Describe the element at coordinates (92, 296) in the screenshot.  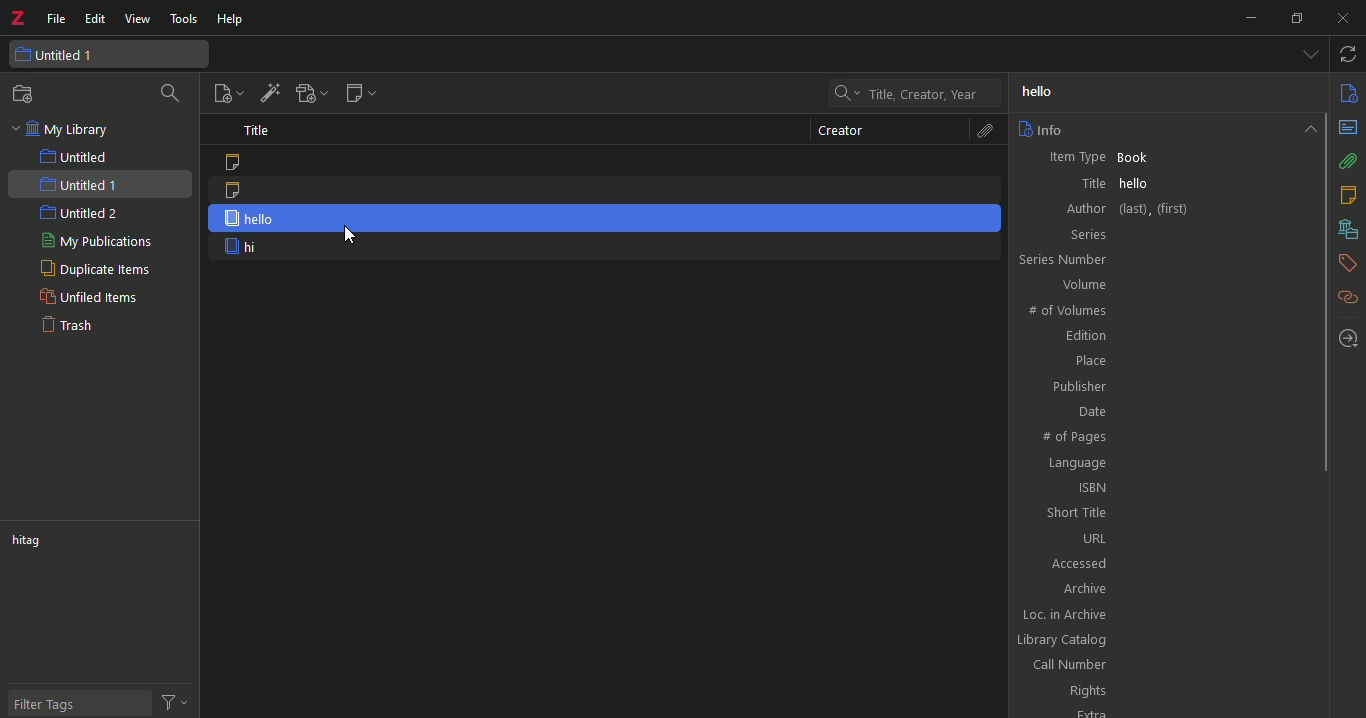
I see `unfiled items` at that location.